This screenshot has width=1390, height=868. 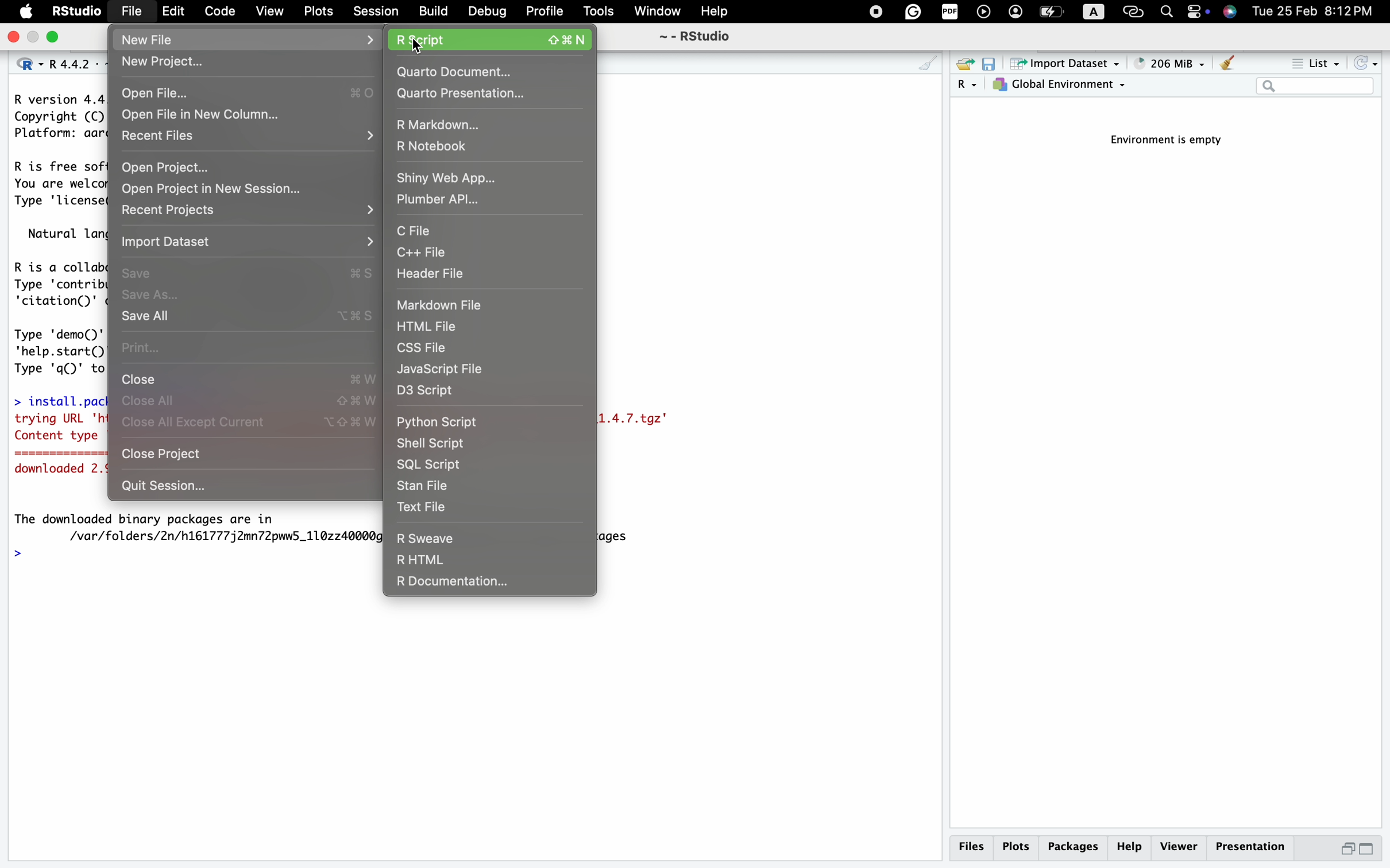 What do you see at coordinates (469, 347) in the screenshot?
I see `CSS file` at bounding box center [469, 347].